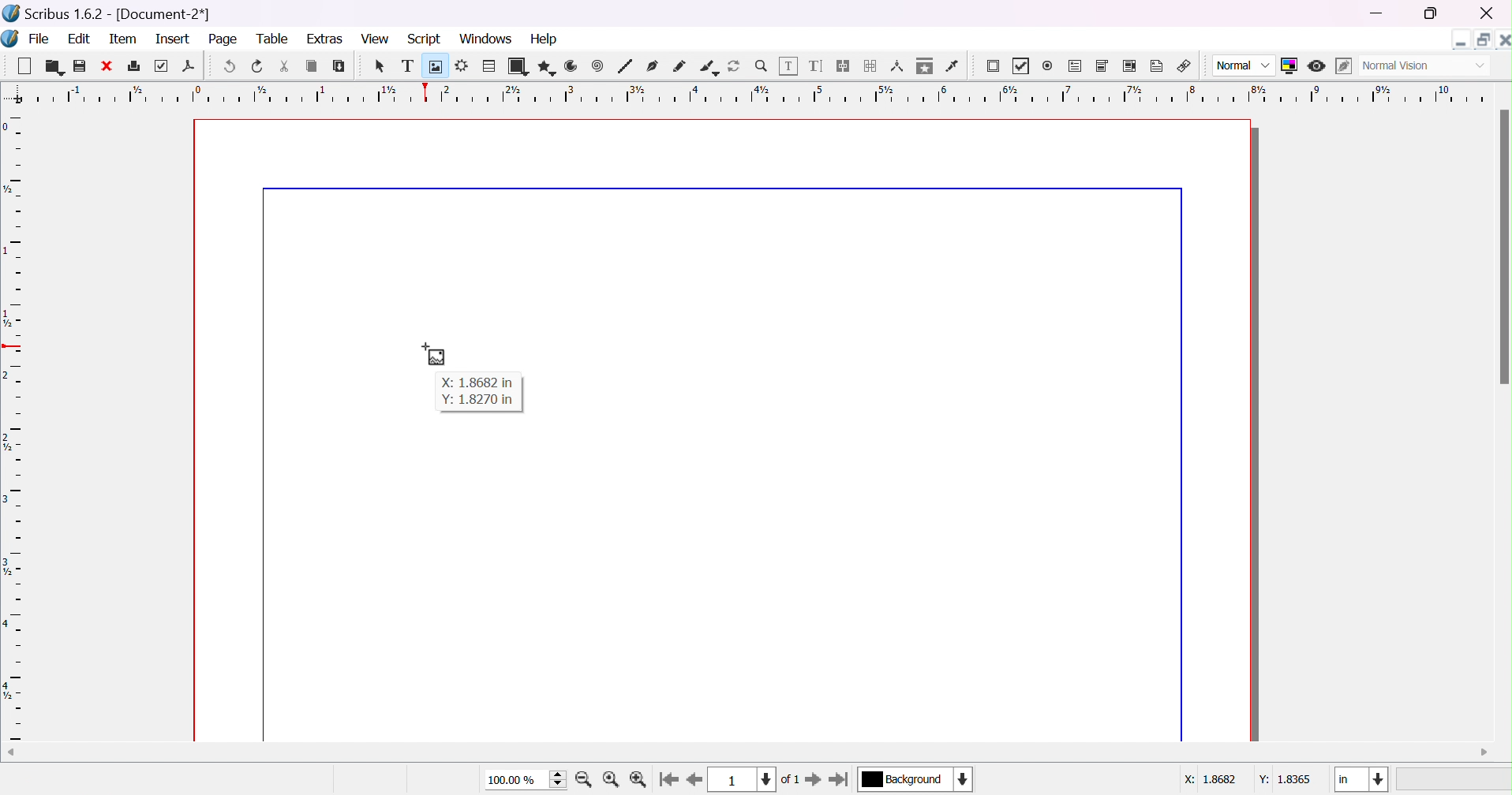 This screenshot has width=1512, height=795. I want to click on close, so click(1503, 38).